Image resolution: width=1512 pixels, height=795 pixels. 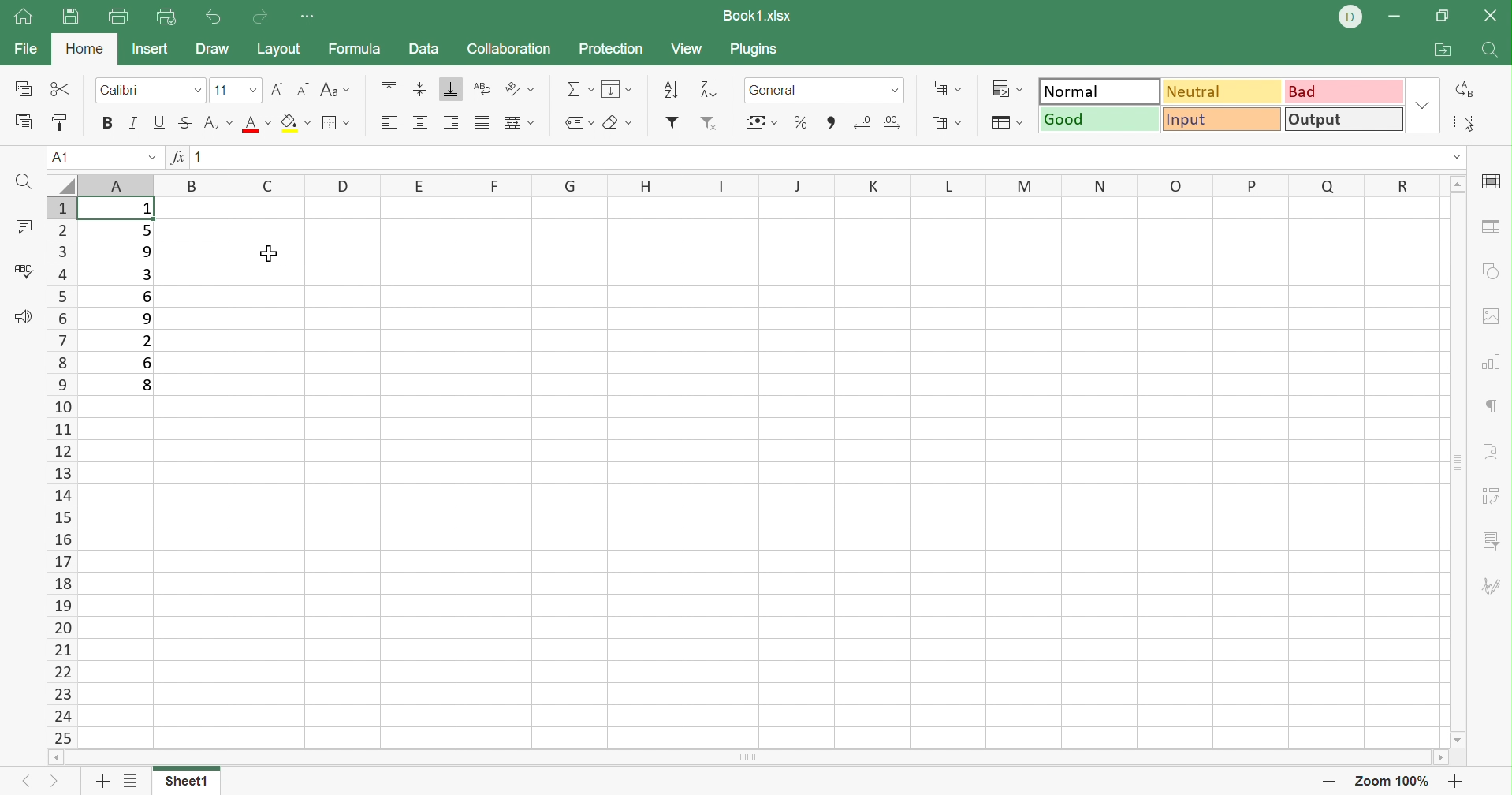 I want to click on Good, so click(x=1099, y=118).